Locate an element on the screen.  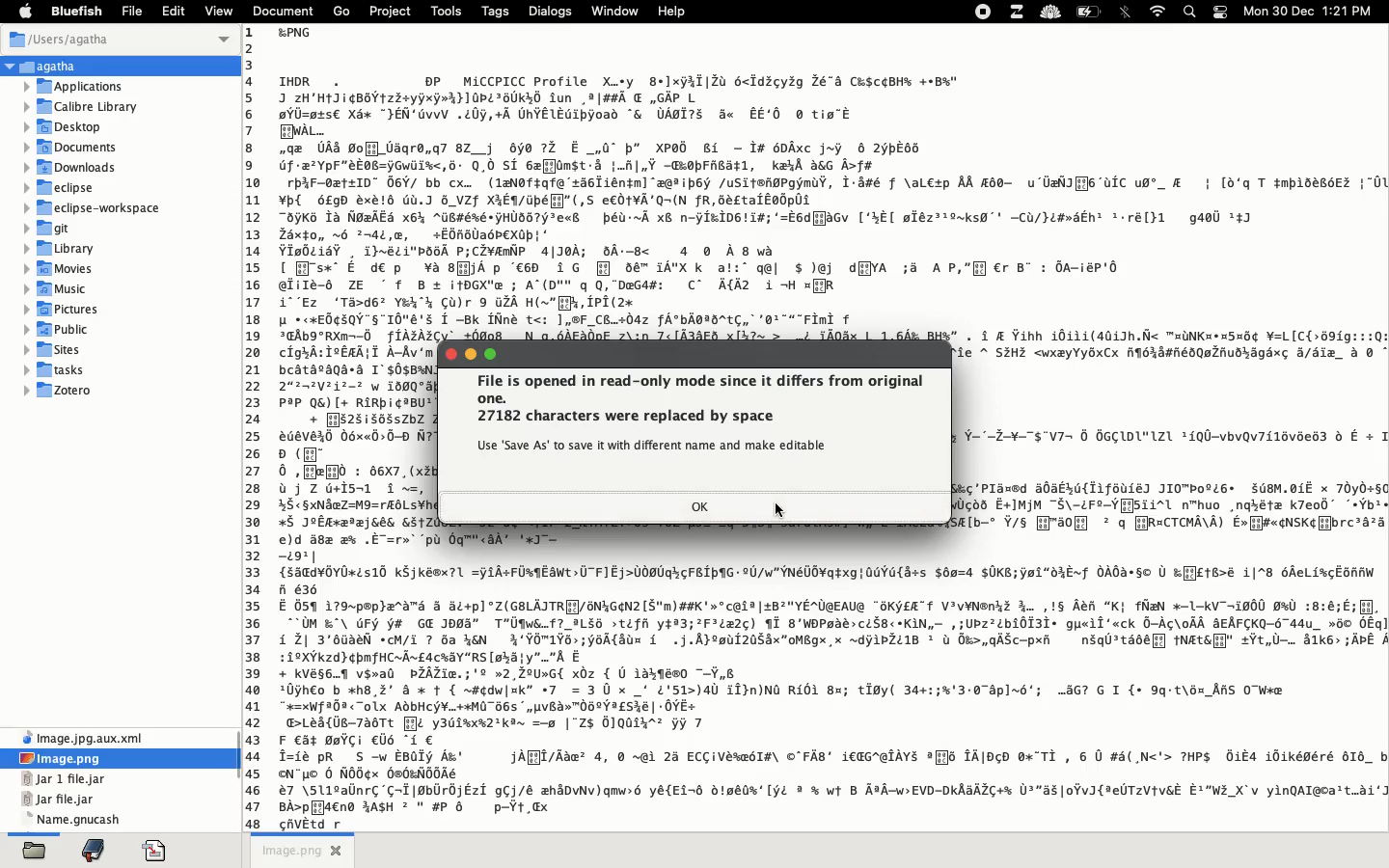
eclipse is located at coordinates (61, 187).